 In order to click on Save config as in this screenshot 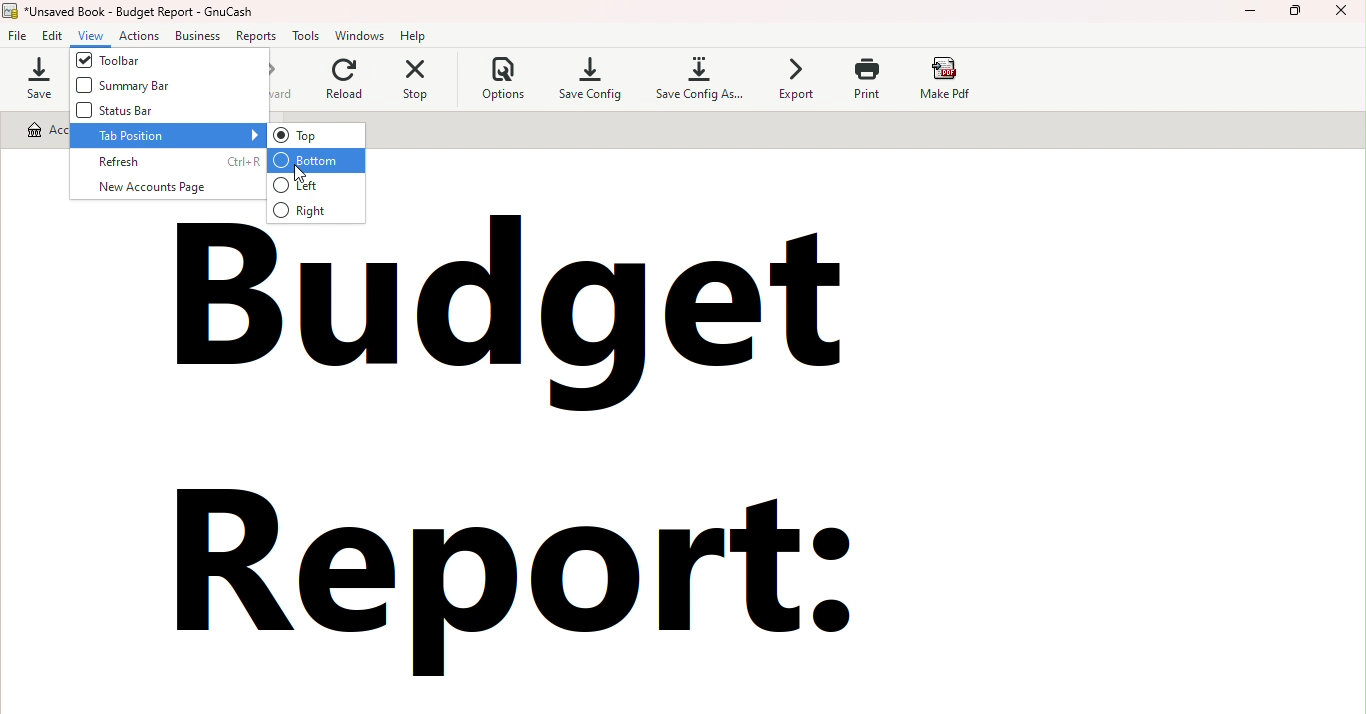, I will do `click(693, 81)`.